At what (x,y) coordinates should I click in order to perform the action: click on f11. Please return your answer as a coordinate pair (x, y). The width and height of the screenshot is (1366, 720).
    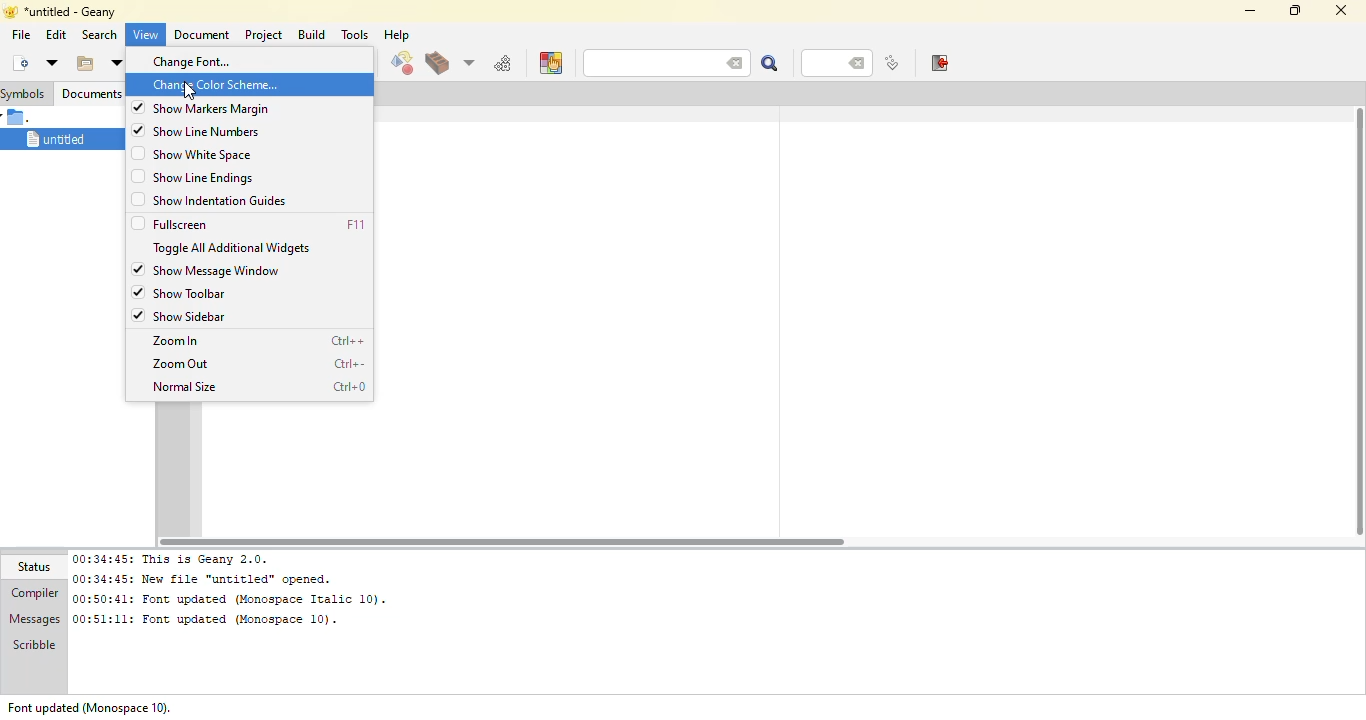
    Looking at the image, I should click on (357, 224).